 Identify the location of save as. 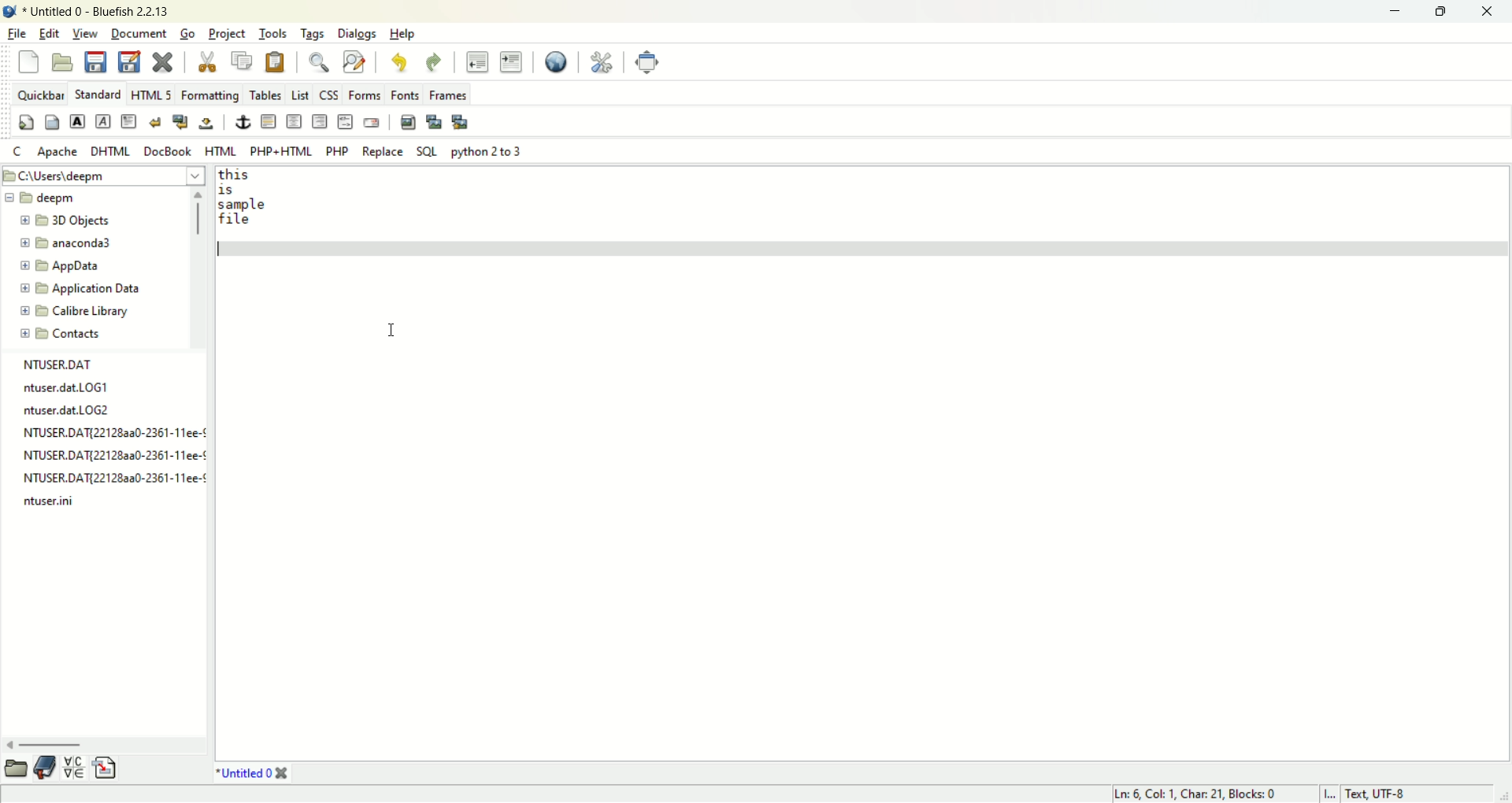
(129, 61).